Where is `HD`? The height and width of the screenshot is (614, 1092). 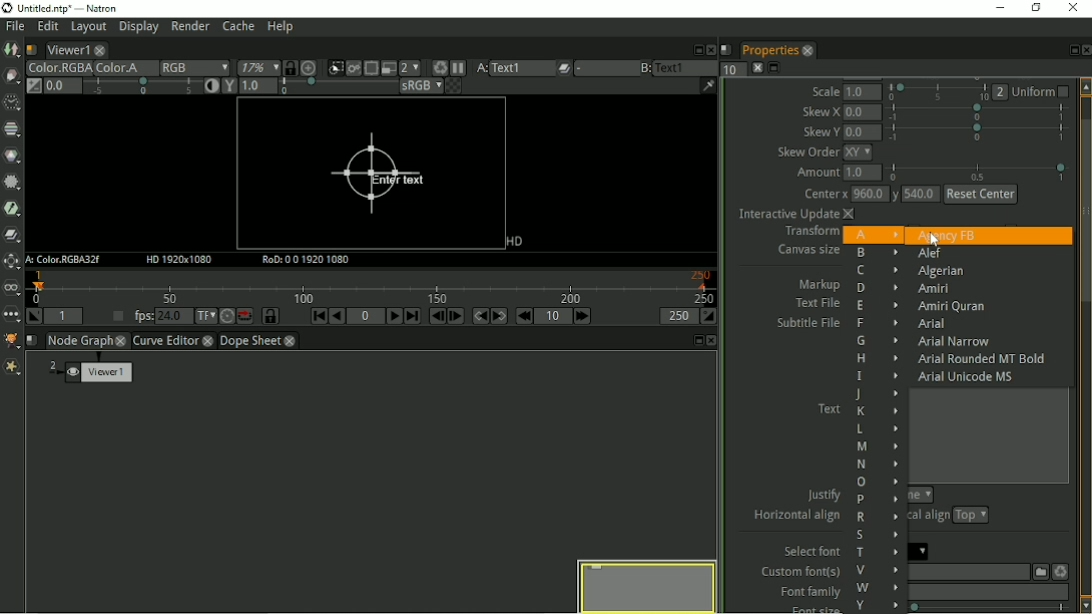 HD is located at coordinates (512, 242).